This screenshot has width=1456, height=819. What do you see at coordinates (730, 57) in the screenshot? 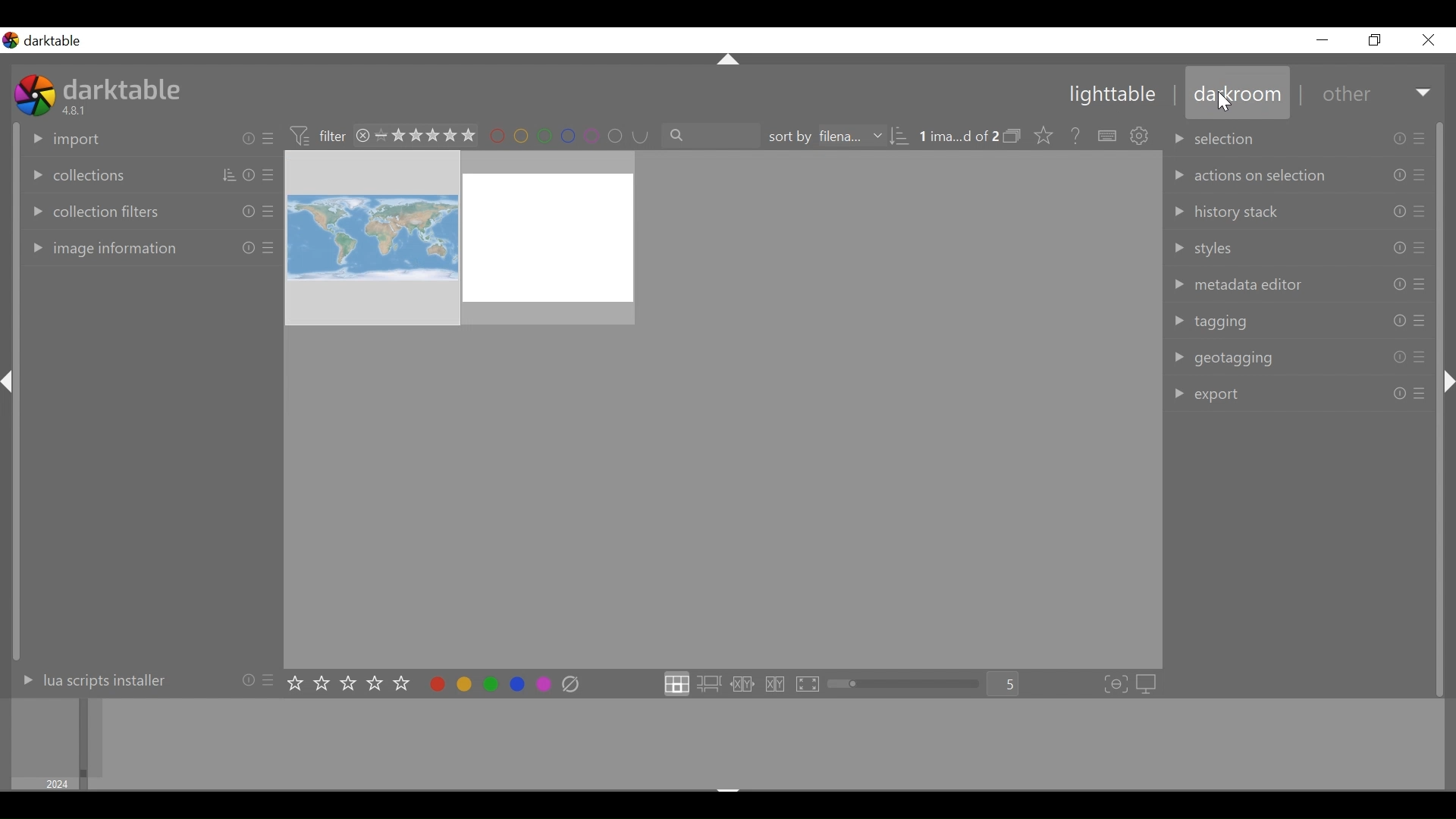
I see `hide` at bounding box center [730, 57].